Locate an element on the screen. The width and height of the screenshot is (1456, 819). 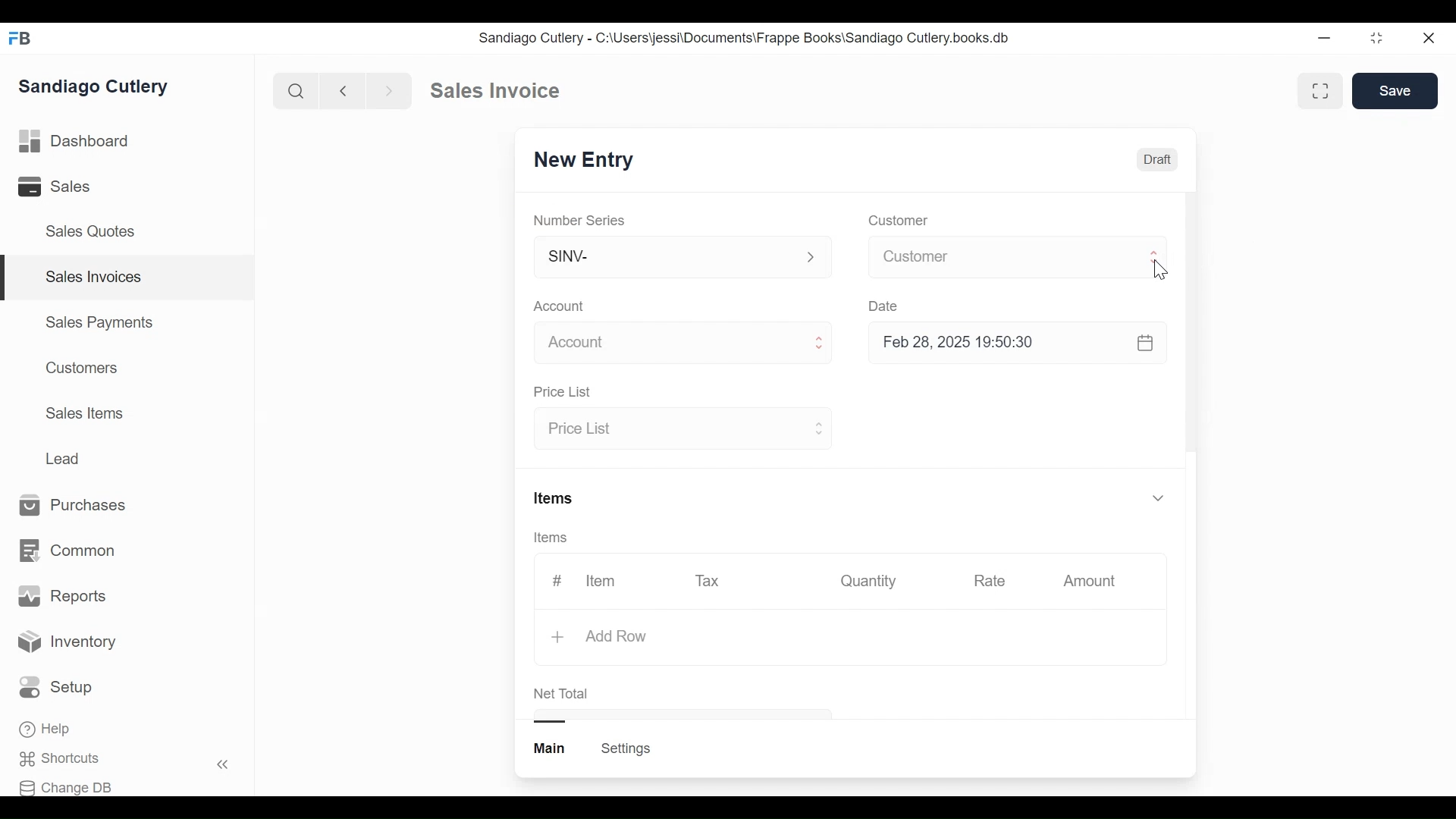
scrollbar is located at coordinates (1191, 321).